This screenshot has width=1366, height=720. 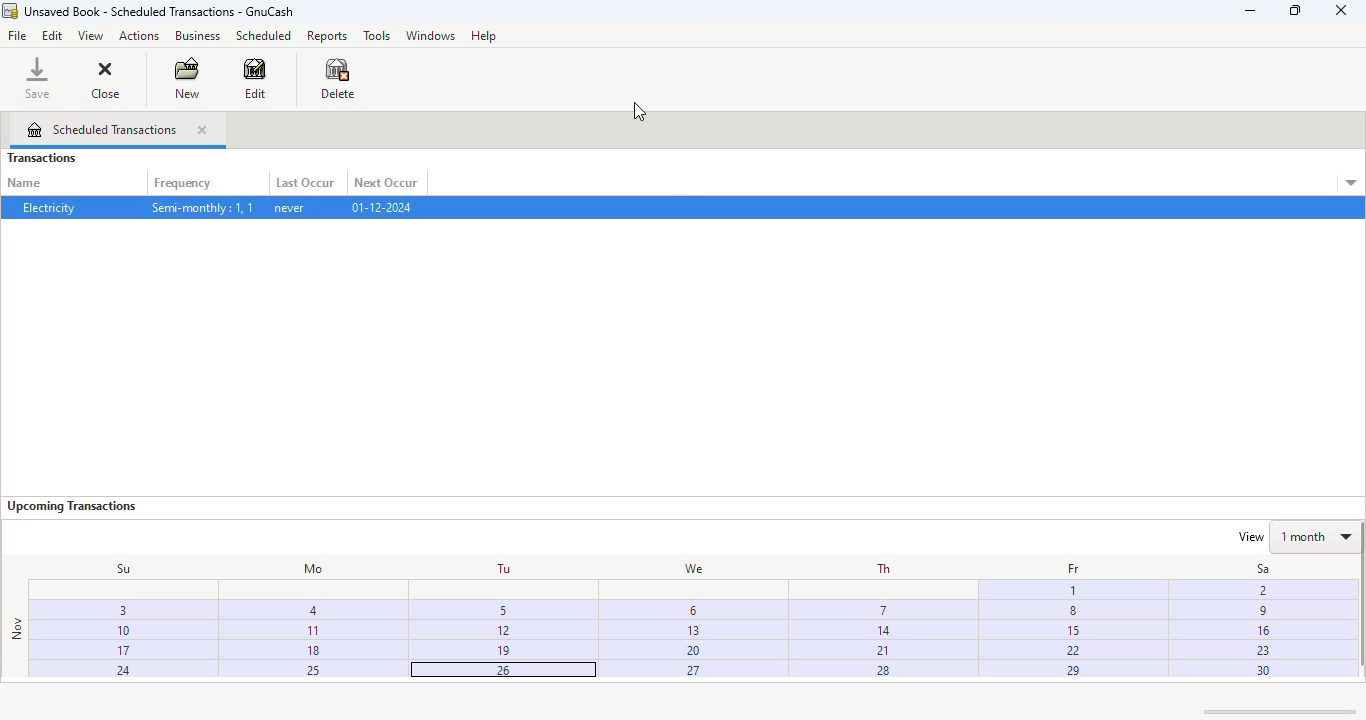 I want to click on edit, so click(x=256, y=78).